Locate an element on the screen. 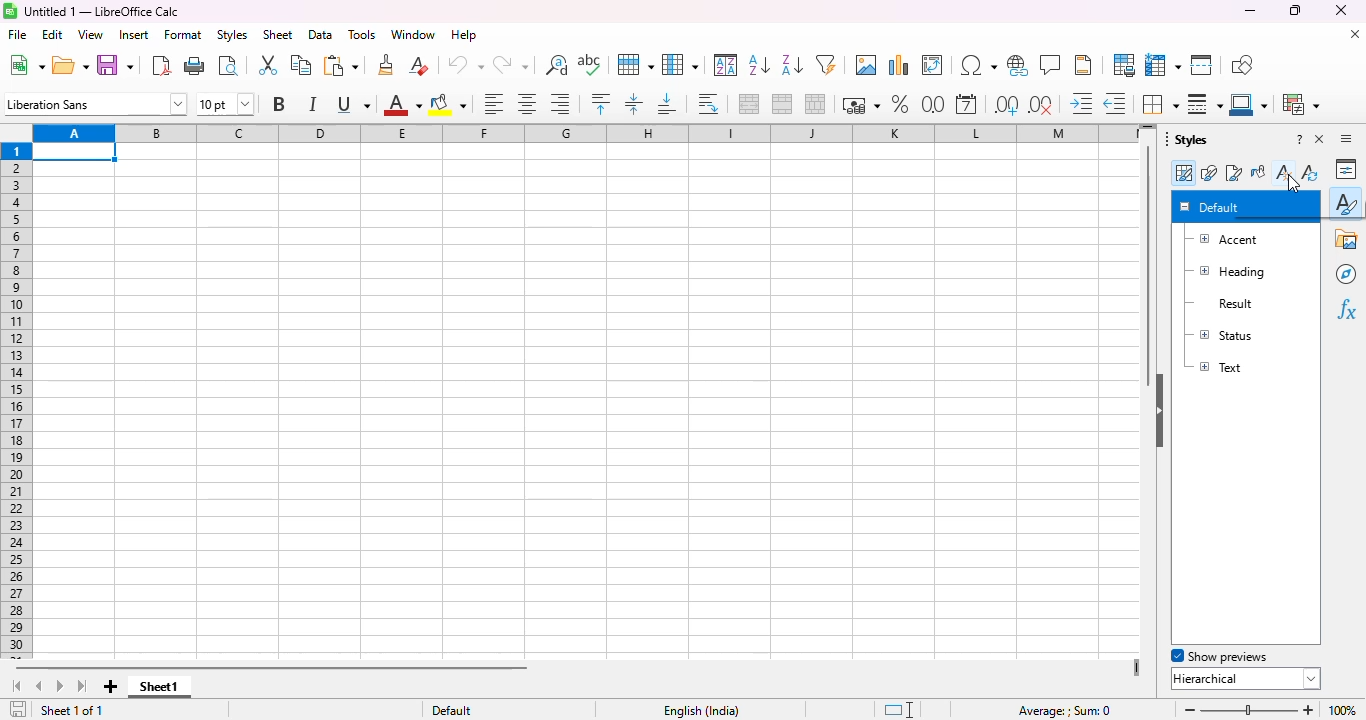 This screenshot has width=1366, height=720. save is located at coordinates (115, 65).